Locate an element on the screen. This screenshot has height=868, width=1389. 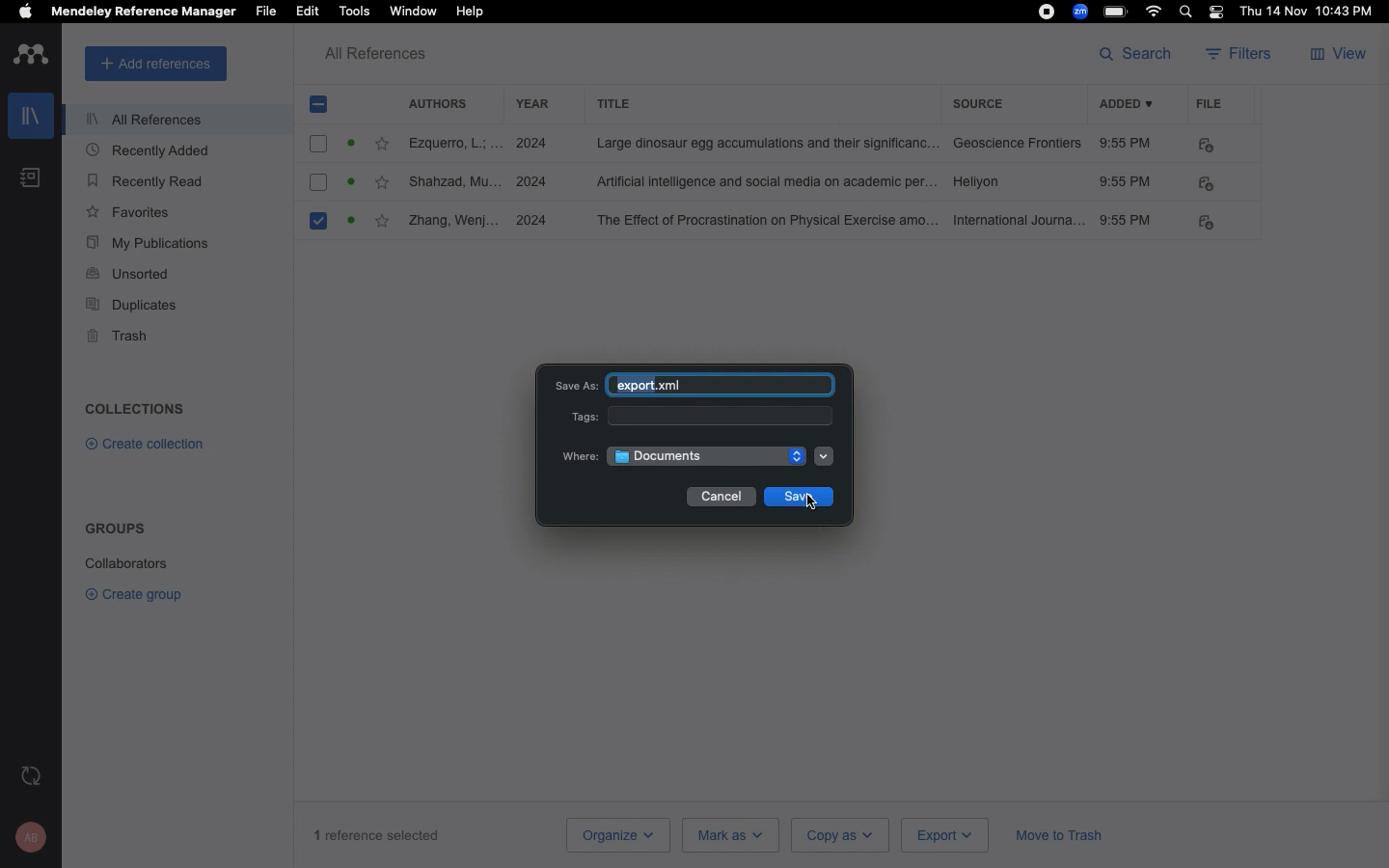
Logo is located at coordinates (31, 56).